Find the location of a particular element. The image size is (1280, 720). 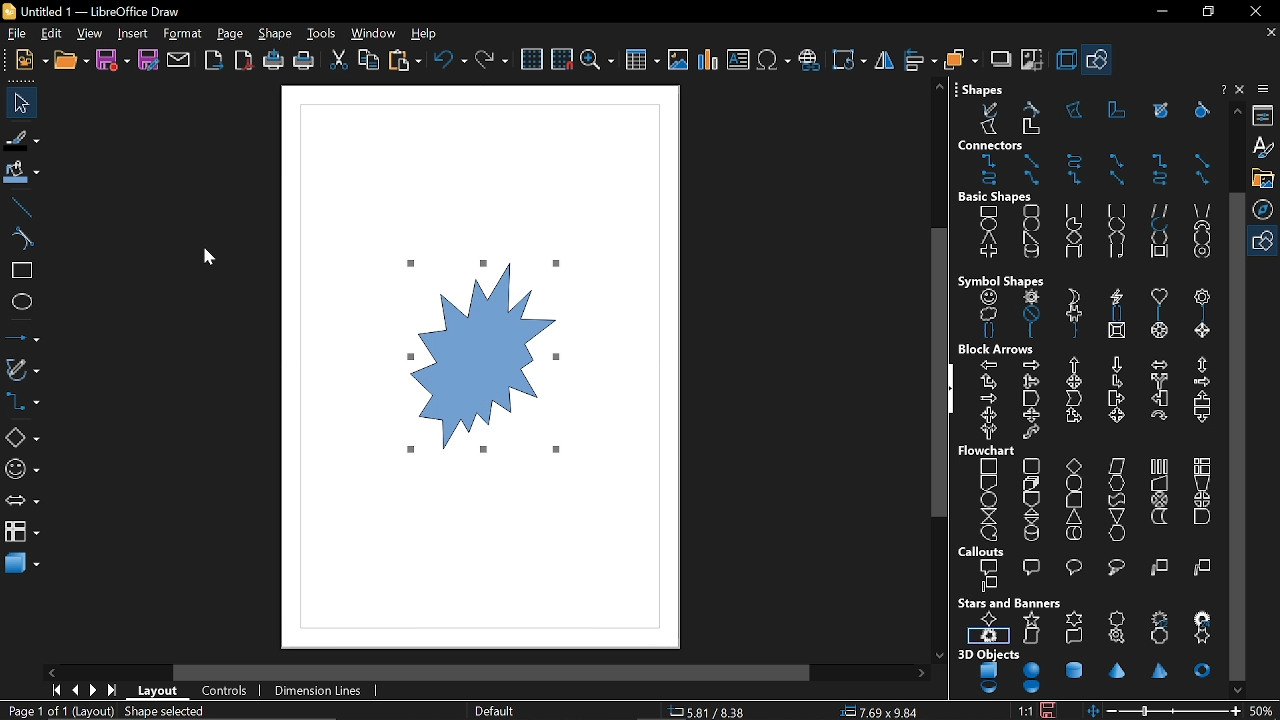

attach is located at coordinates (180, 61).